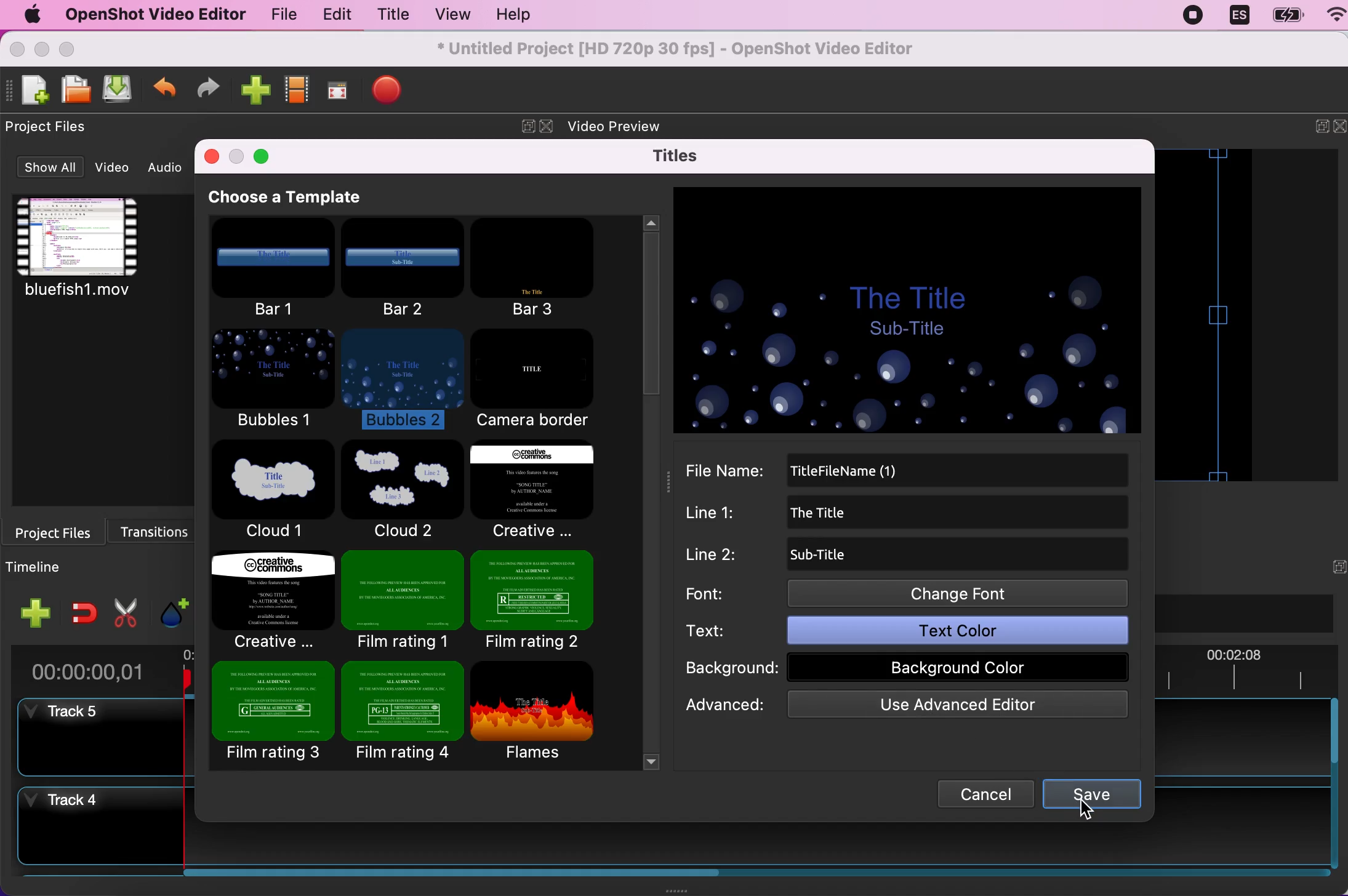 This screenshot has width=1348, height=896. Describe the element at coordinates (947, 707) in the screenshot. I see `use advanced editor` at that location.